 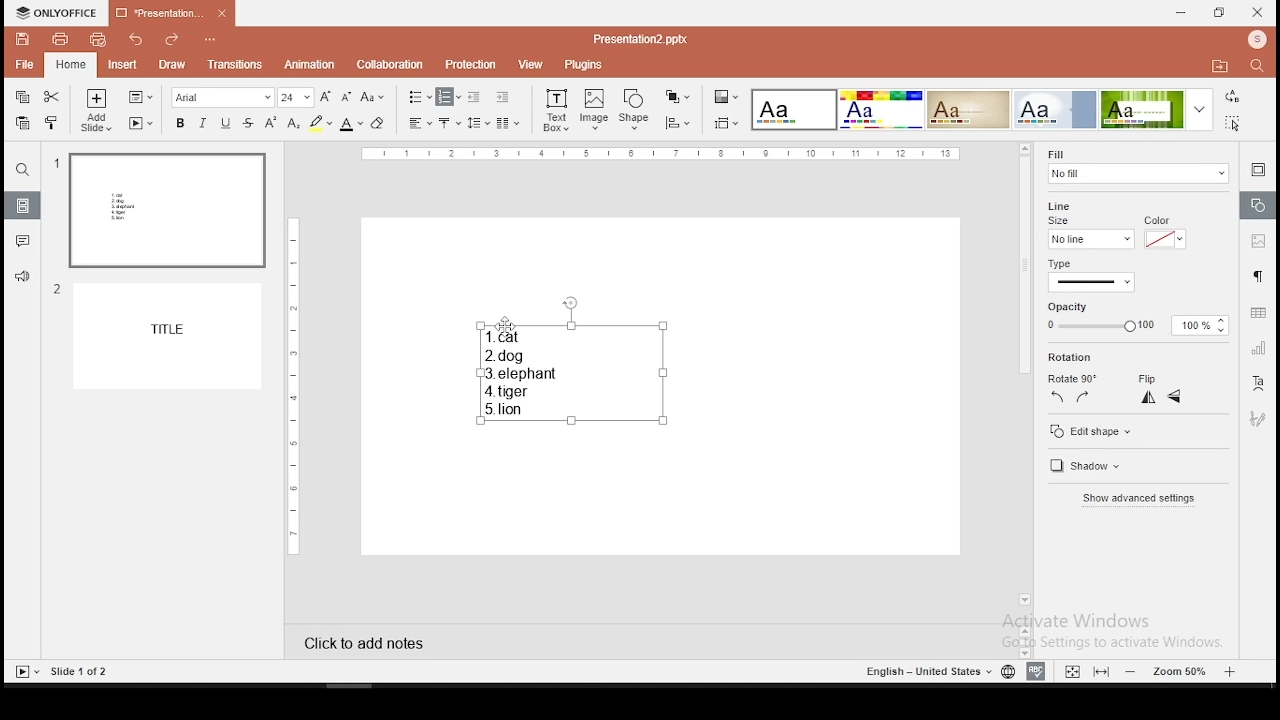 What do you see at coordinates (1256, 313) in the screenshot?
I see `table settings` at bounding box center [1256, 313].